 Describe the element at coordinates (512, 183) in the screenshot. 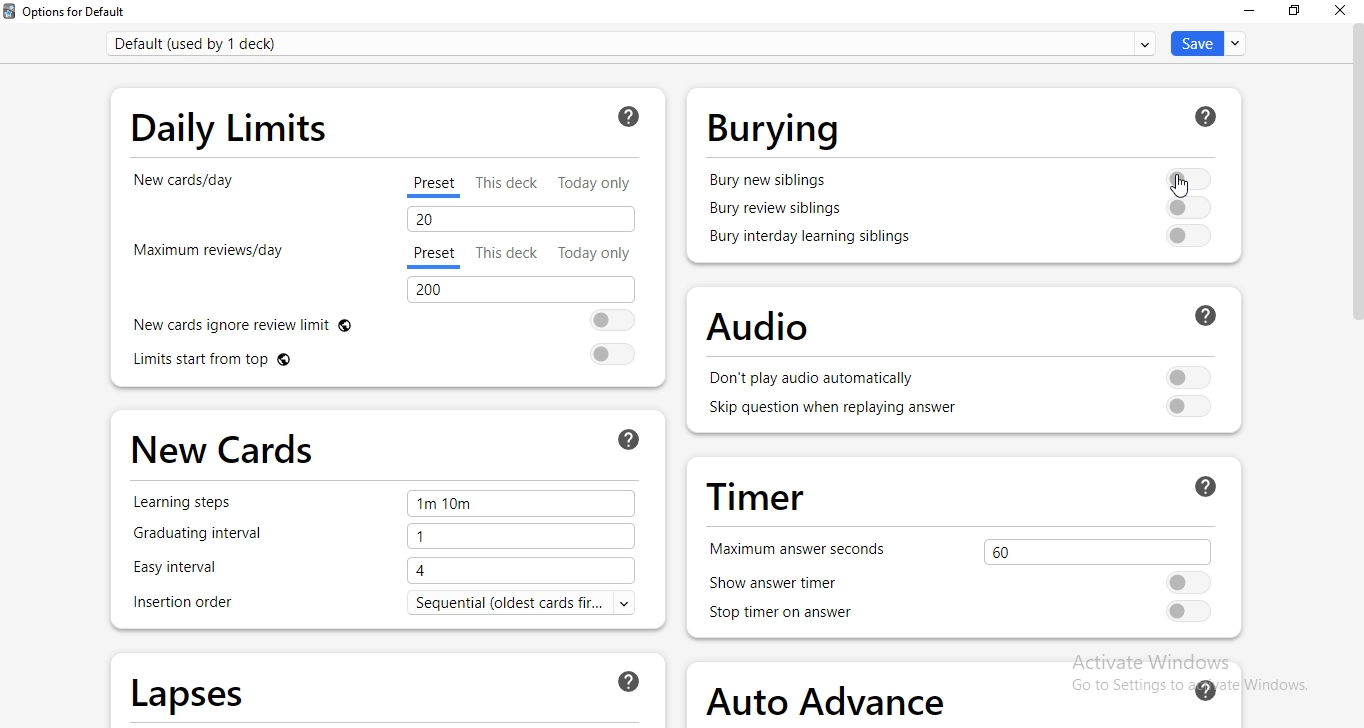

I see `this deck` at that location.